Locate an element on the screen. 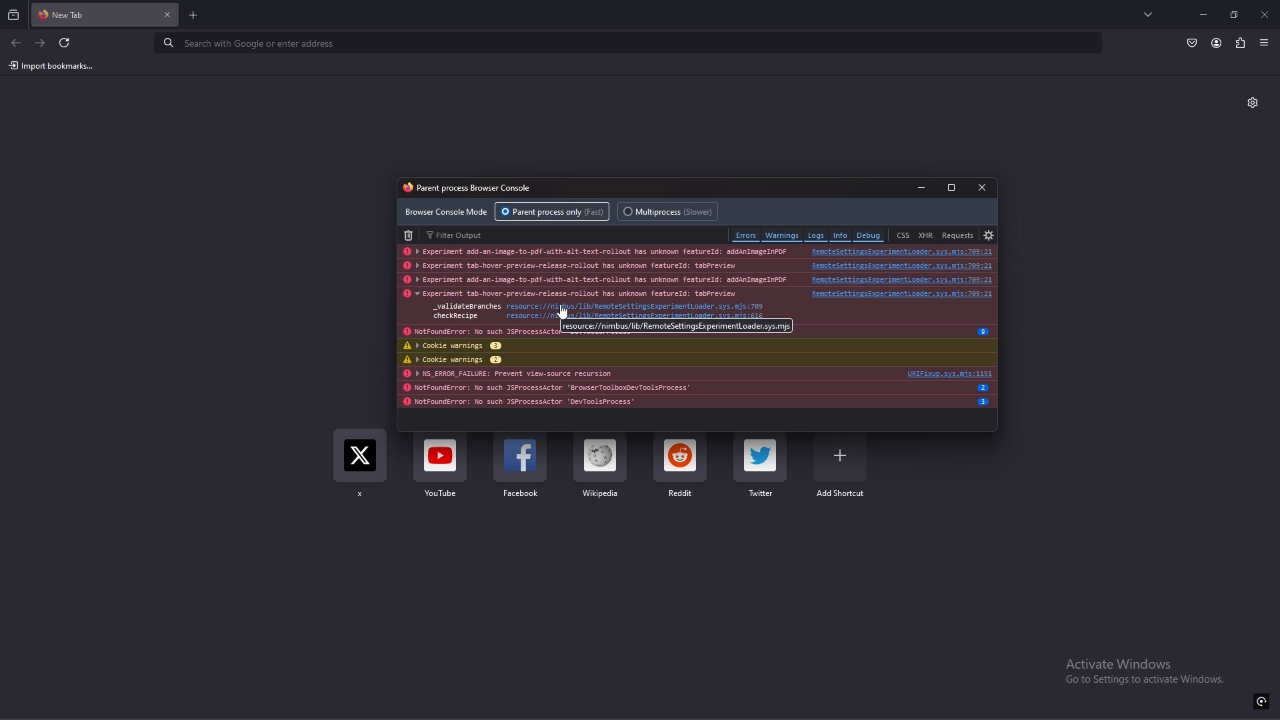  log is located at coordinates (583, 293).